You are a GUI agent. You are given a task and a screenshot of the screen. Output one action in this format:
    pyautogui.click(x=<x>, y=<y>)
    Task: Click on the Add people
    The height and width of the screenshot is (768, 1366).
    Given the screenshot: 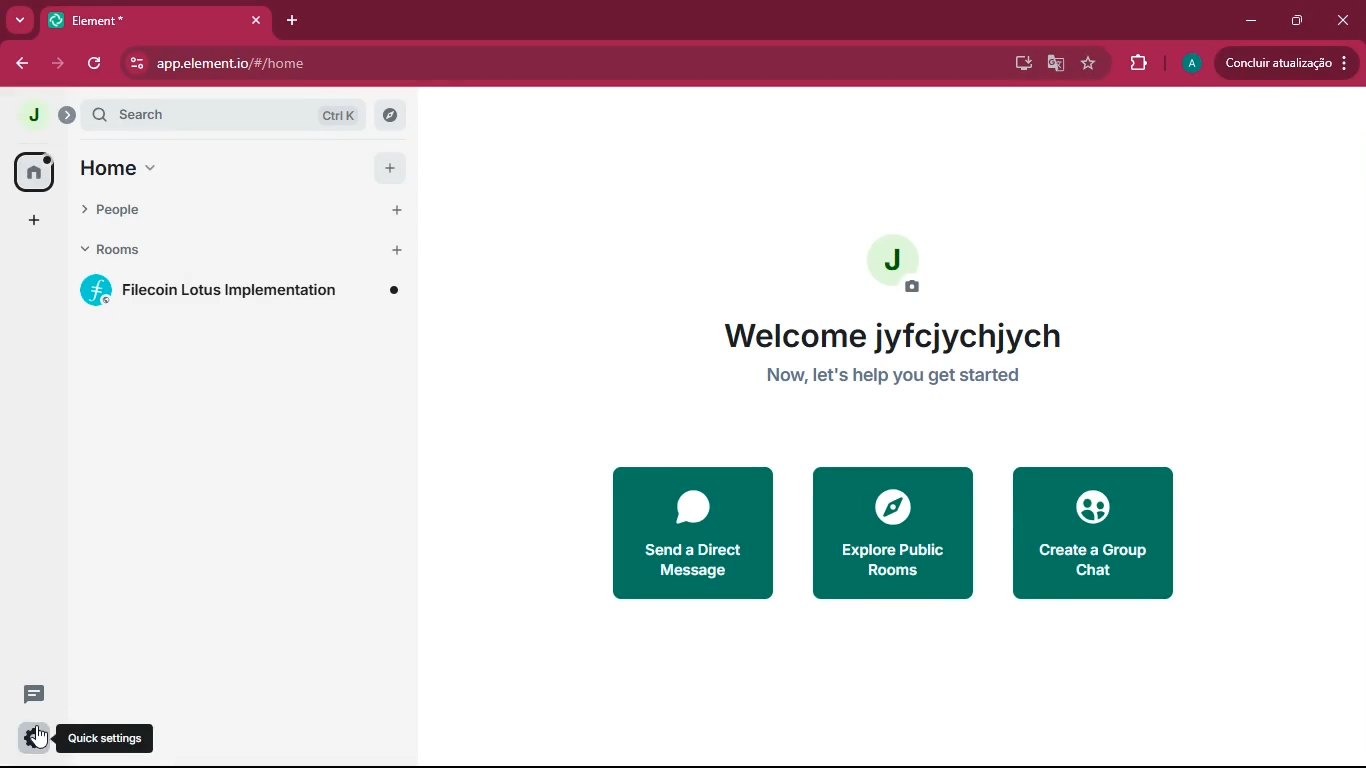 What is the action you would take?
    pyautogui.click(x=395, y=212)
    